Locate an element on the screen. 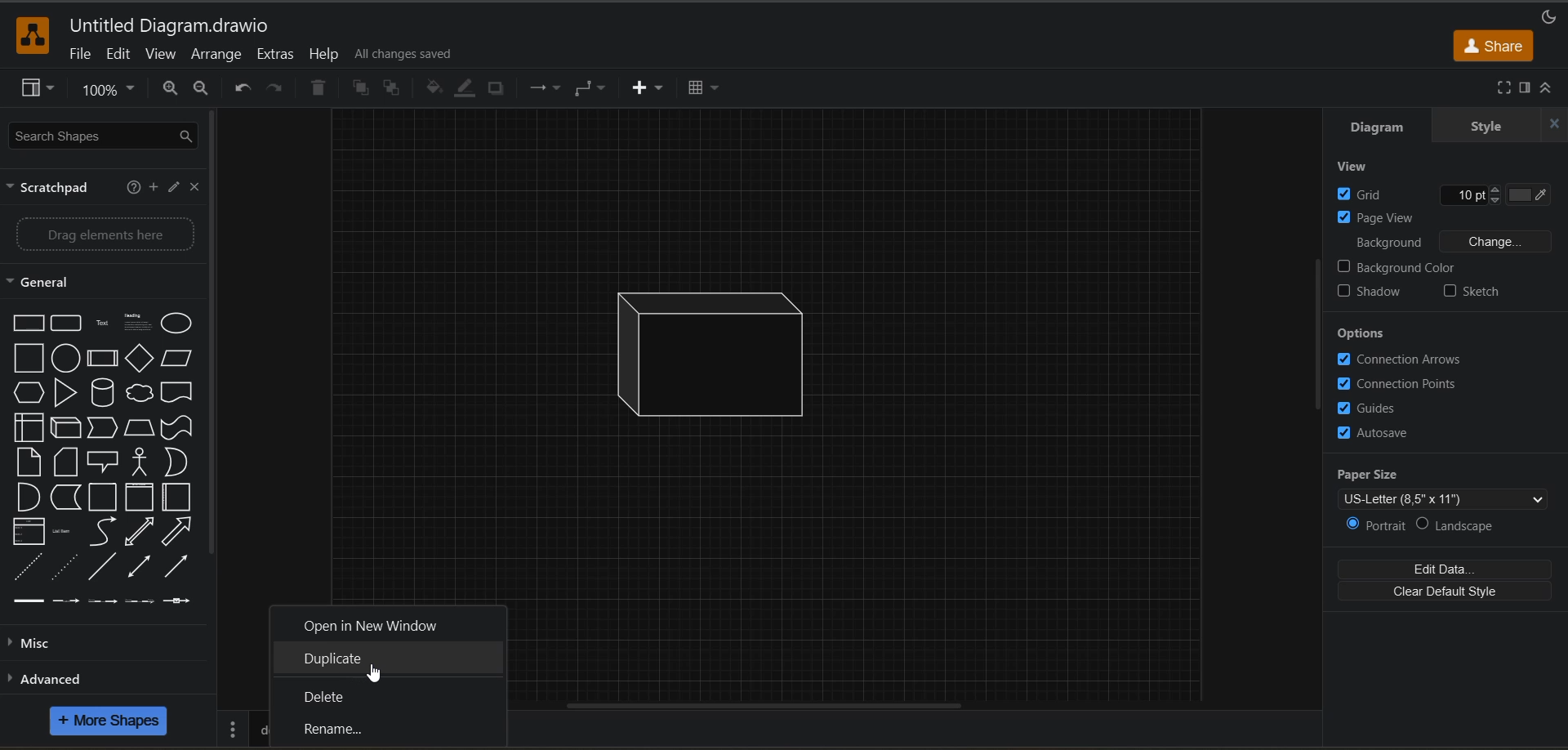  close is located at coordinates (194, 188).